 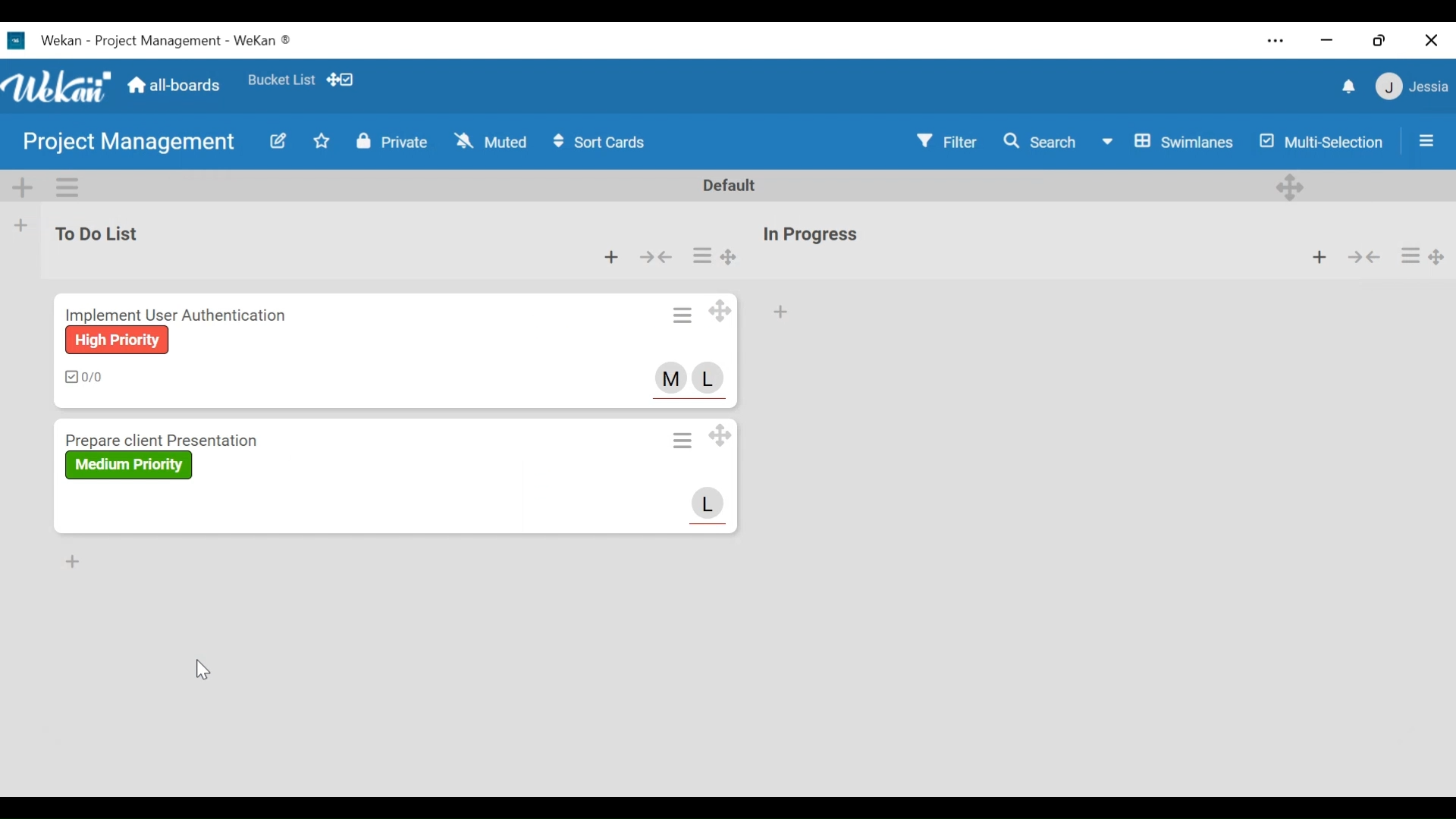 I want to click on Member menu, so click(x=1410, y=88).